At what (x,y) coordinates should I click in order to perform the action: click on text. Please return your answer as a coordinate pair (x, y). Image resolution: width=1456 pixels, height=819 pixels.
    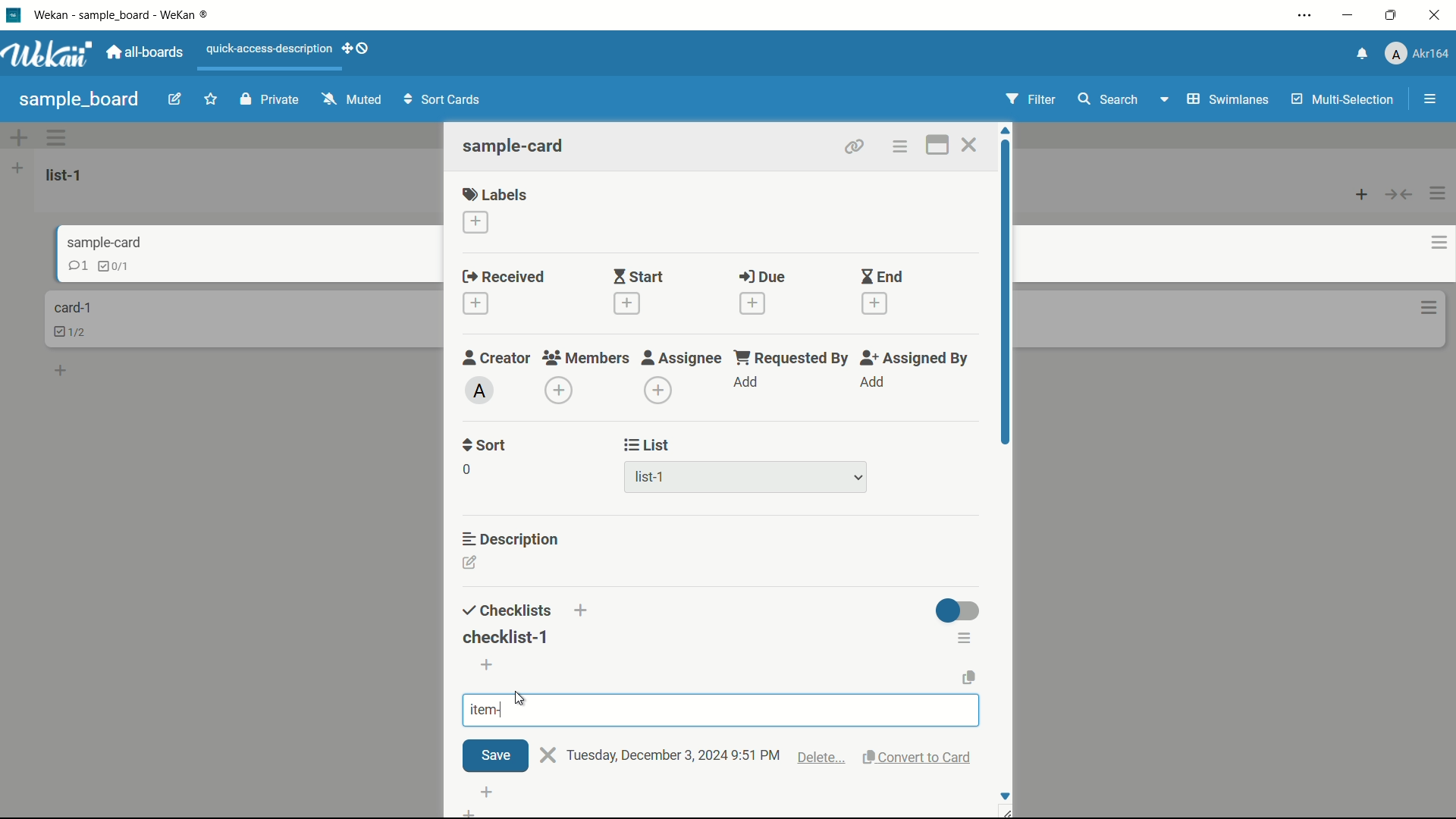
    Looking at the image, I should click on (674, 756).